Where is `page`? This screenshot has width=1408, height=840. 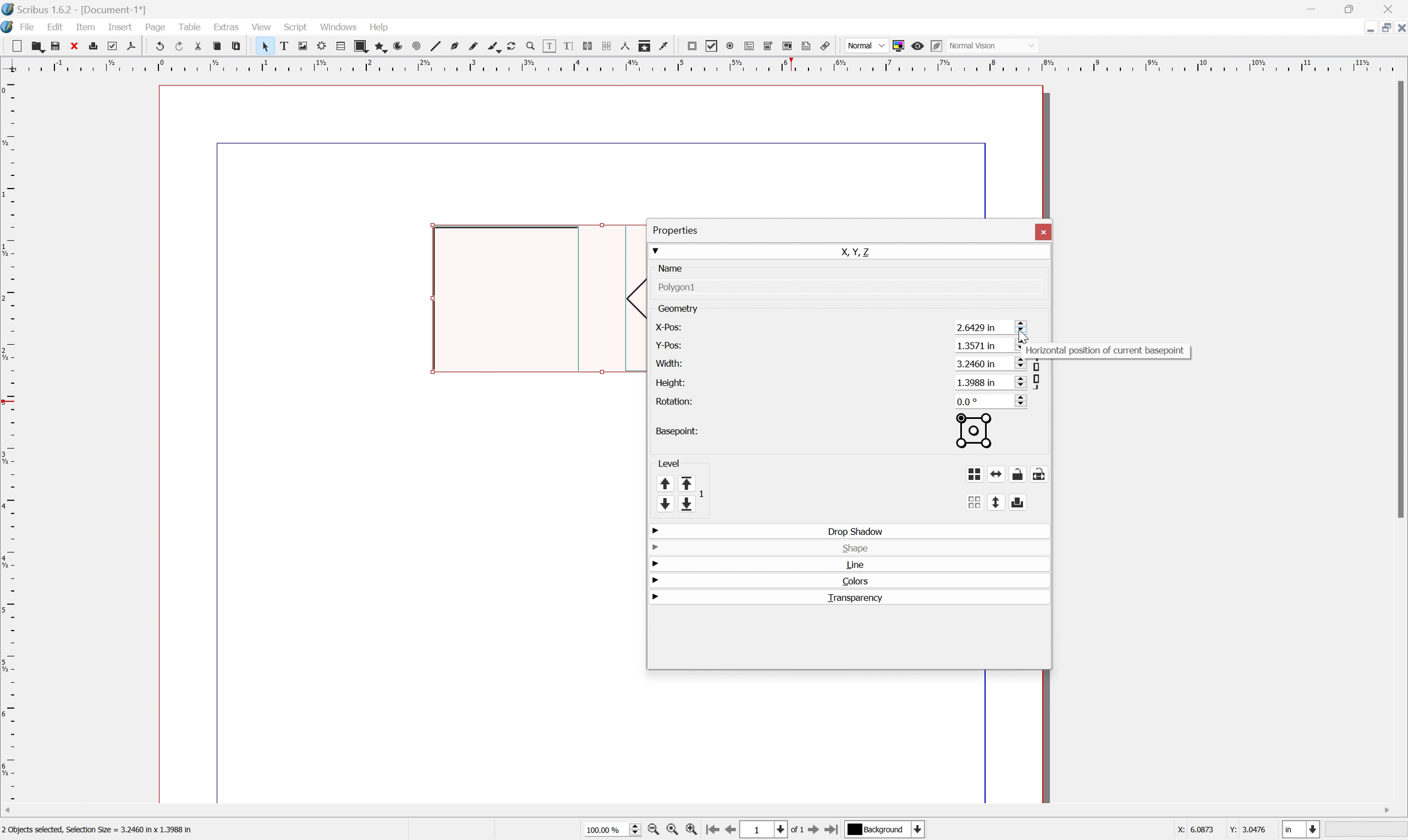
page is located at coordinates (157, 27).